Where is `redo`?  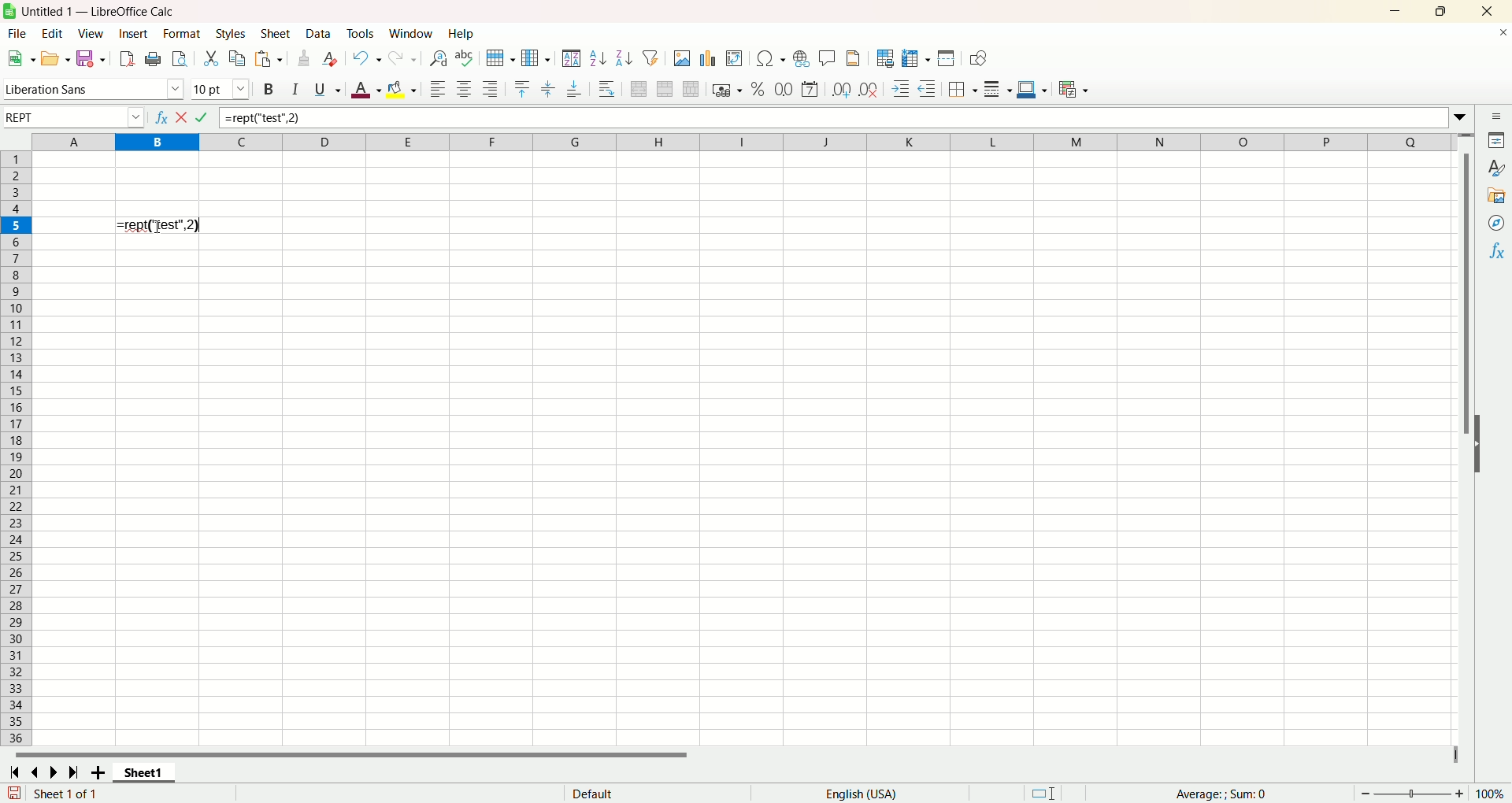
redo is located at coordinates (402, 58).